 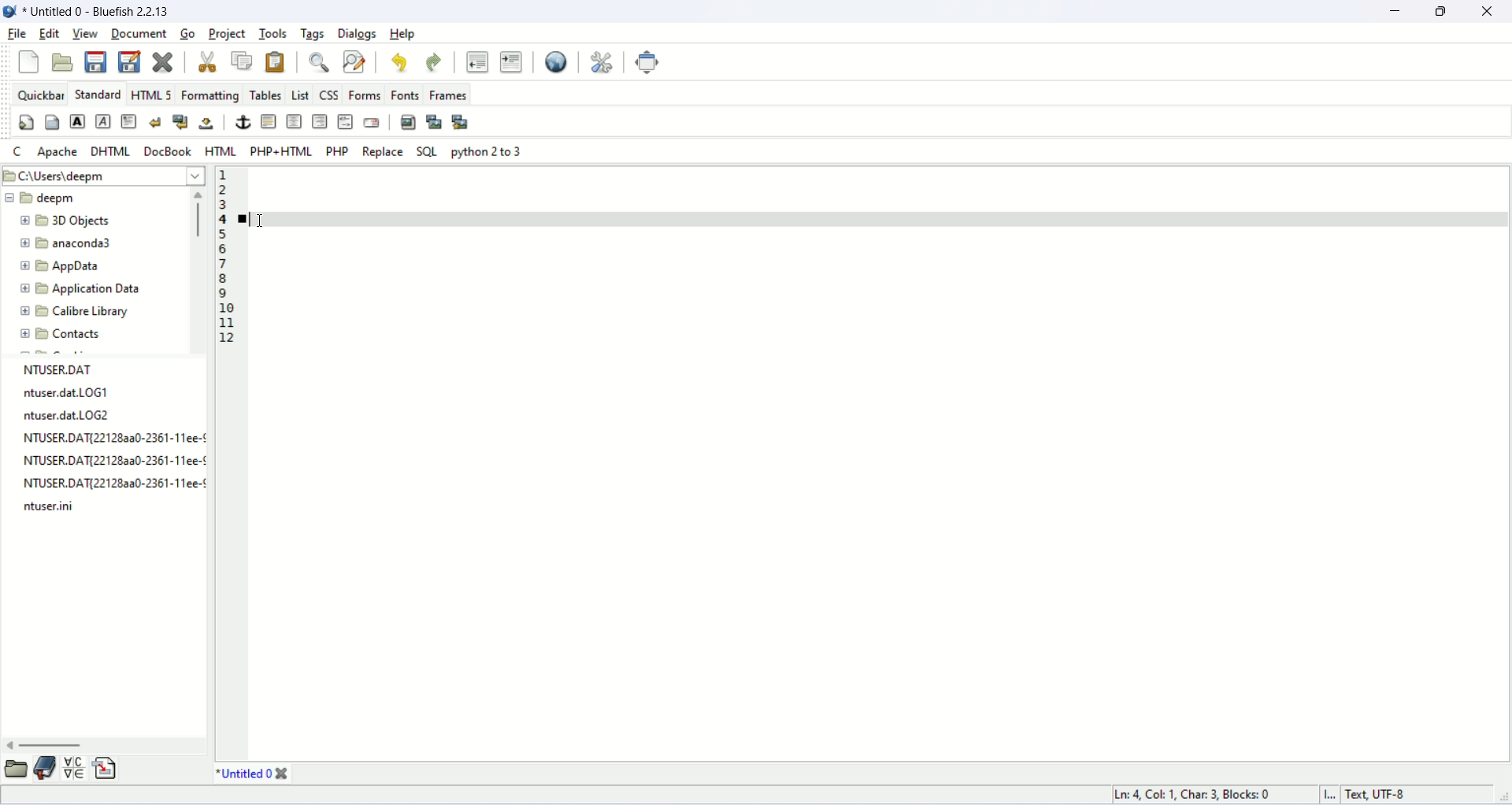 What do you see at coordinates (447, 94) in the screenshot?
I see `frames` at bounding box center [447, 94].